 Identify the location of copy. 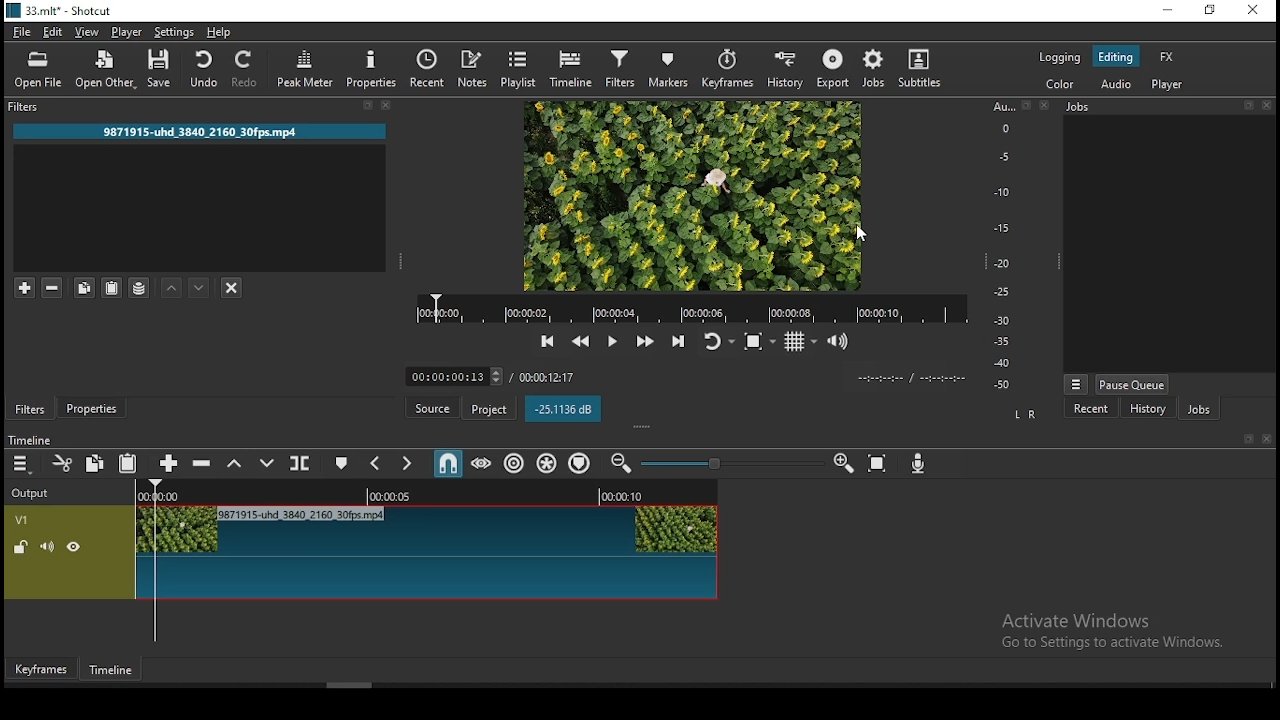
(97, 464).